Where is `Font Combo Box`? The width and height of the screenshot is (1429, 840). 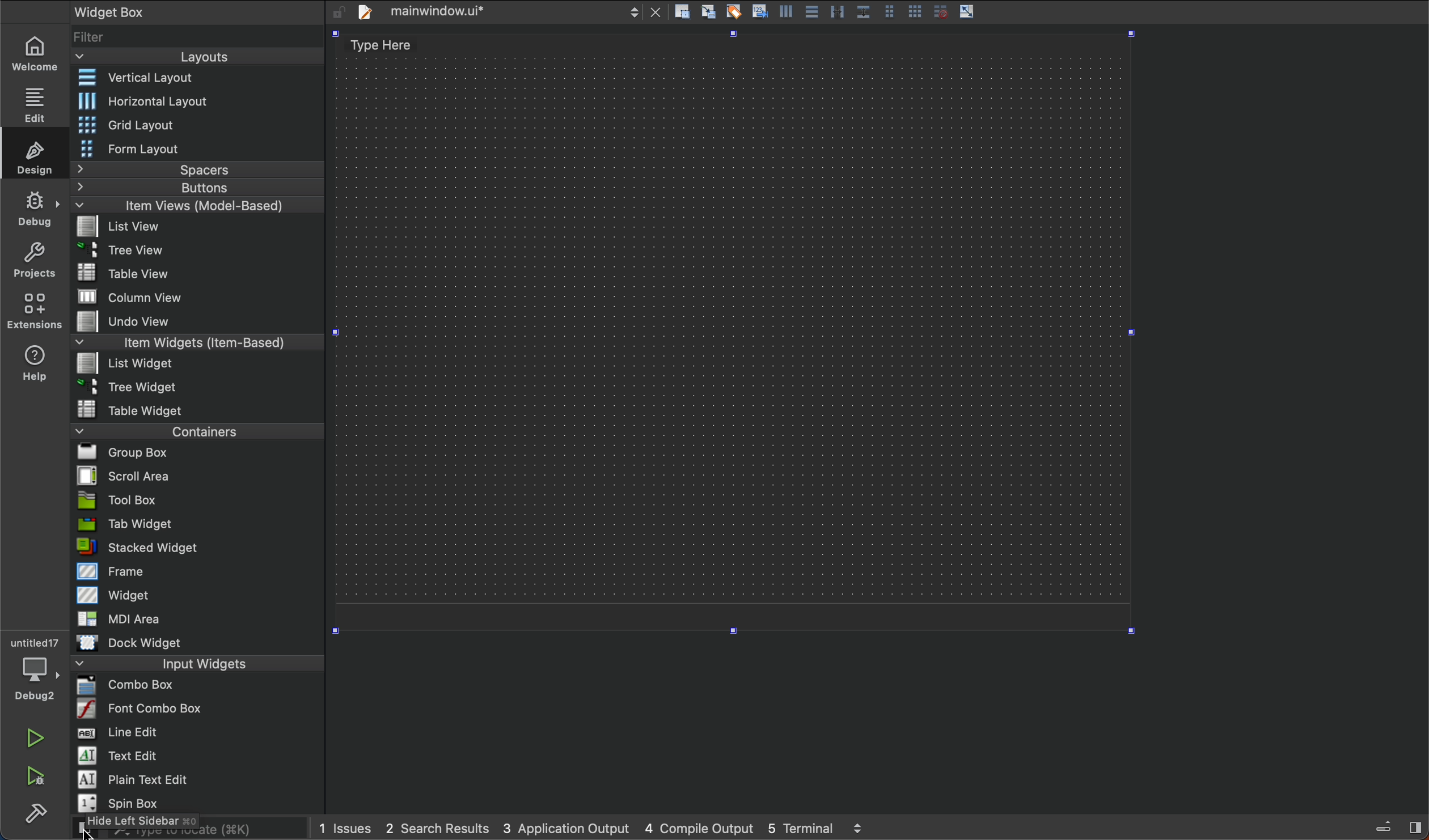 Font Combo Box is located at coordinates (137, 710).